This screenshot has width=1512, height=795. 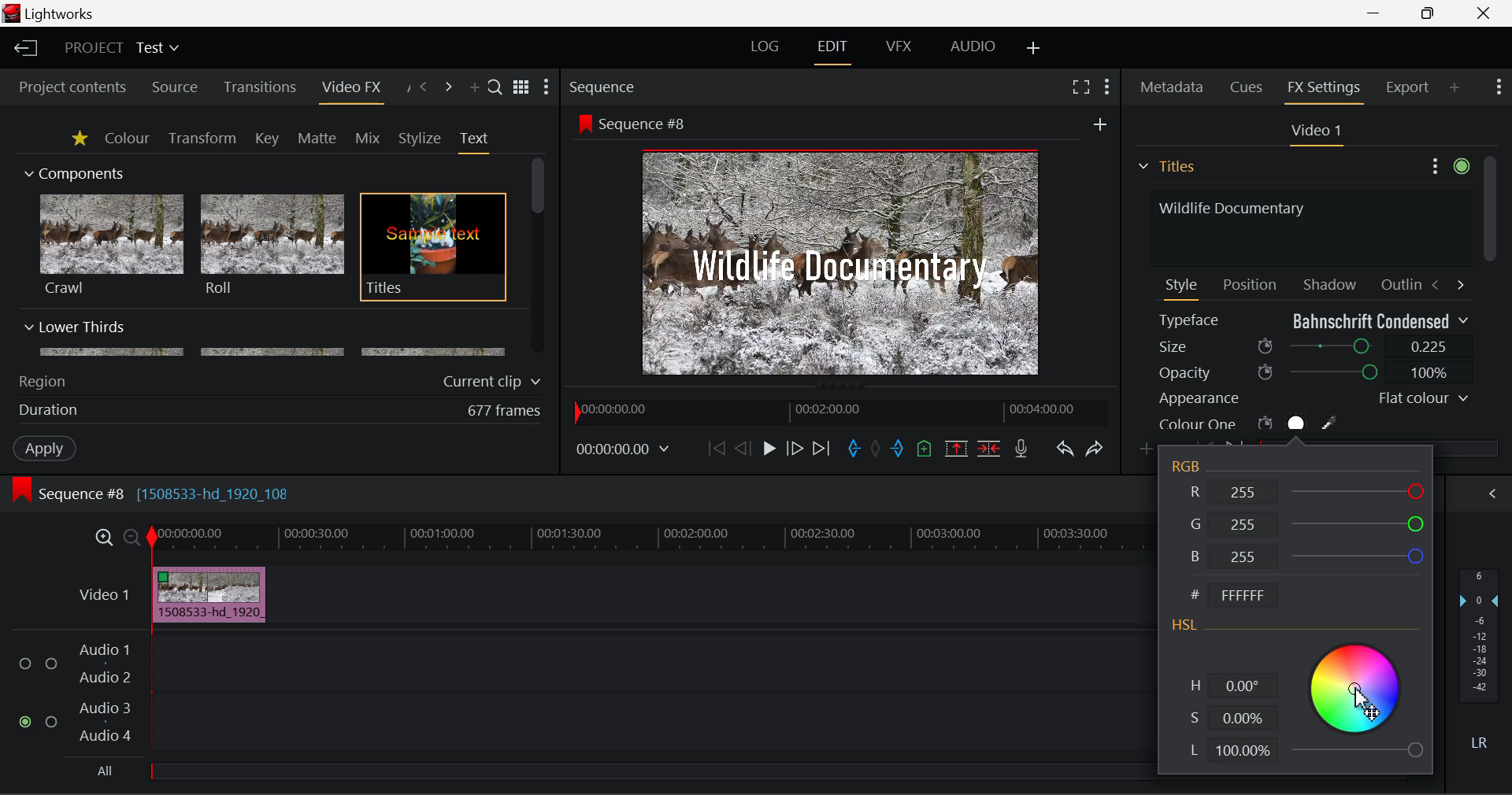 I want to click on Lightworks, so click(x=61, y=13).